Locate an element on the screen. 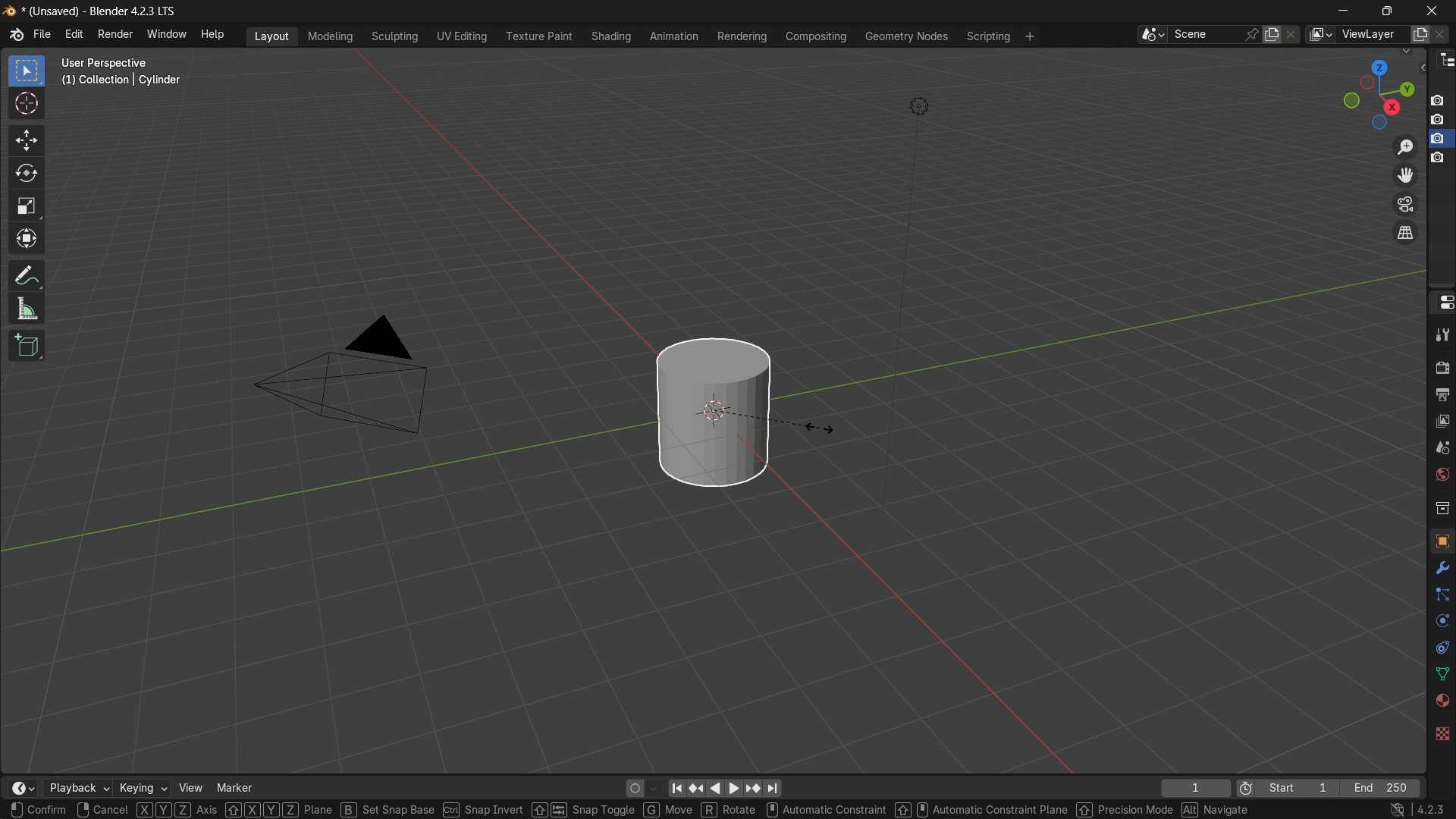  layer 1 is located at coordinates (1440, 100).